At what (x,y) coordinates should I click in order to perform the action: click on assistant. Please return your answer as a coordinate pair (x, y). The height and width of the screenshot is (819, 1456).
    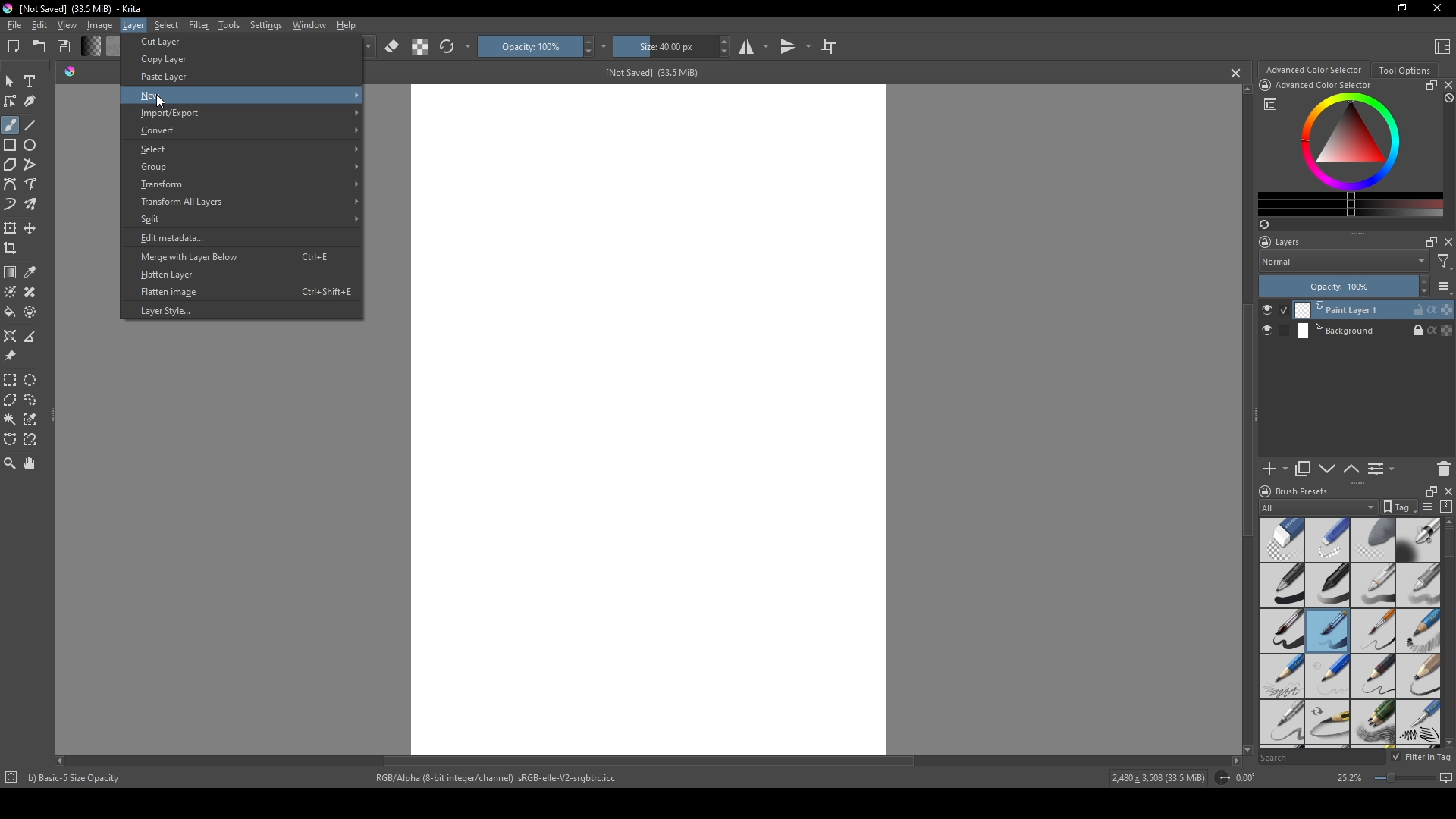
    Looking at the image, I should click on (11, 335).